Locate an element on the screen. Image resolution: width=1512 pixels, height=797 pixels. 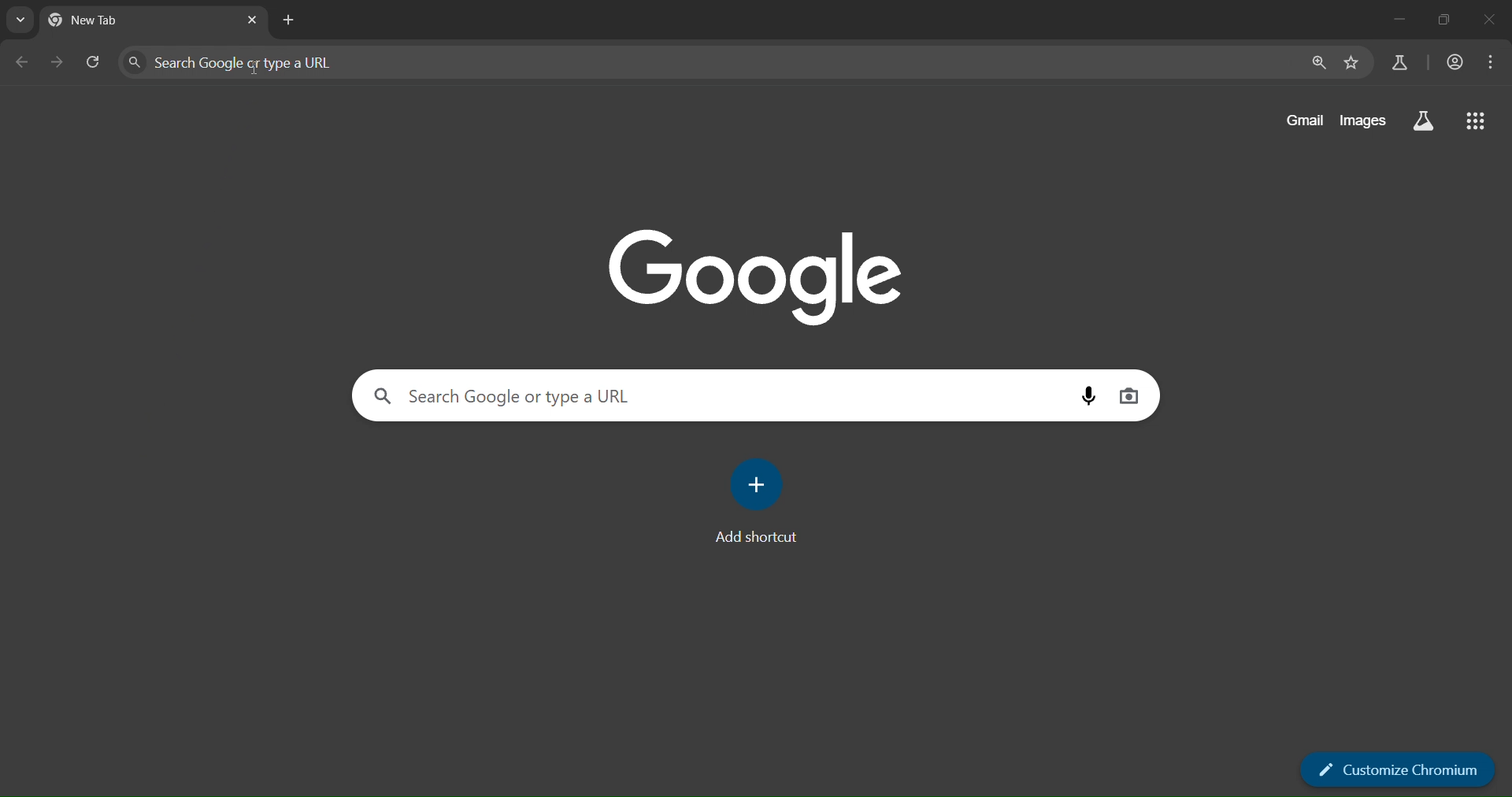
close is located at coordinates (1492, 19).